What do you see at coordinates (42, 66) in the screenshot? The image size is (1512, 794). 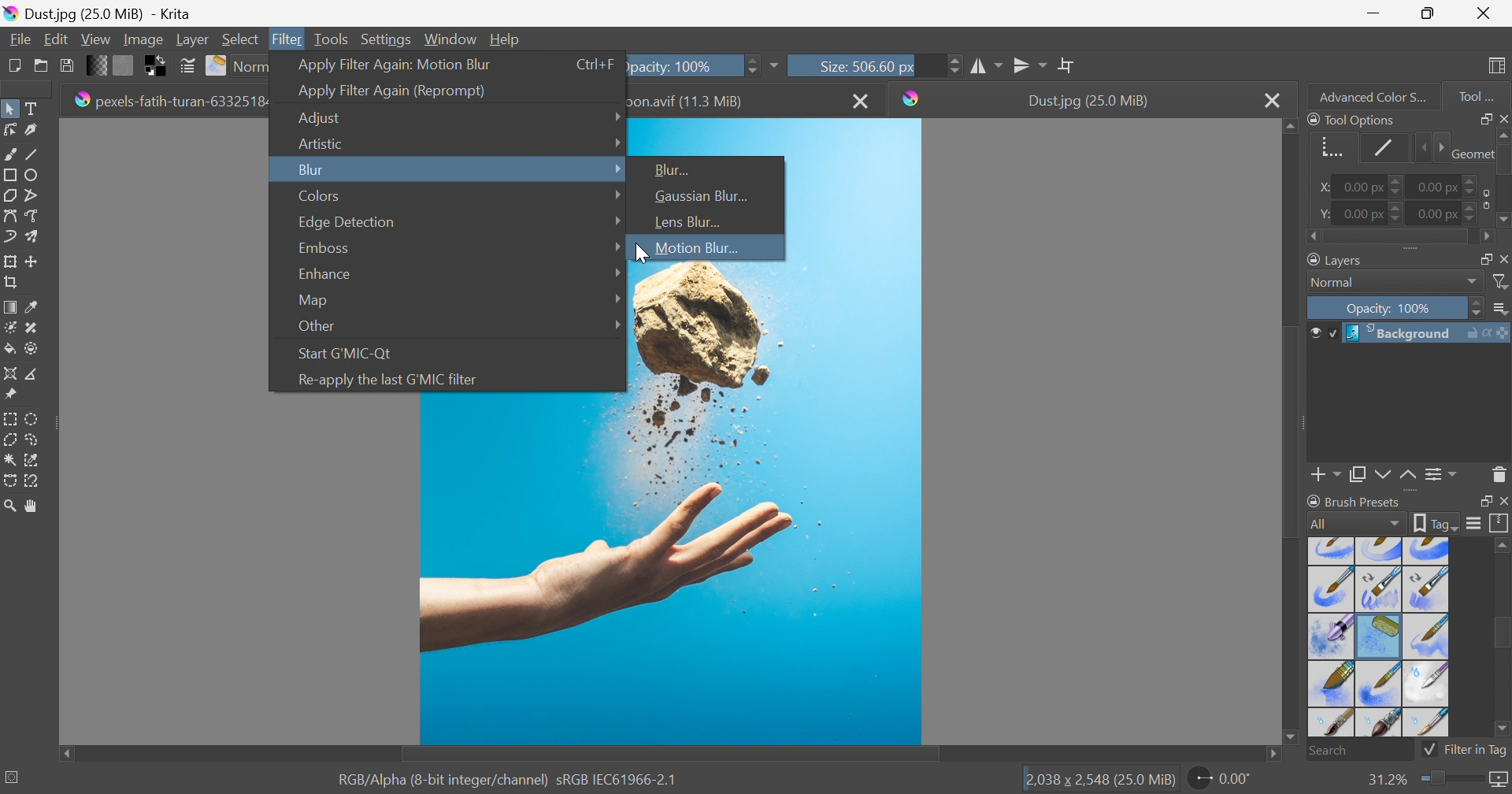 I see `Open an existing document` at bounding box center [42, 66].